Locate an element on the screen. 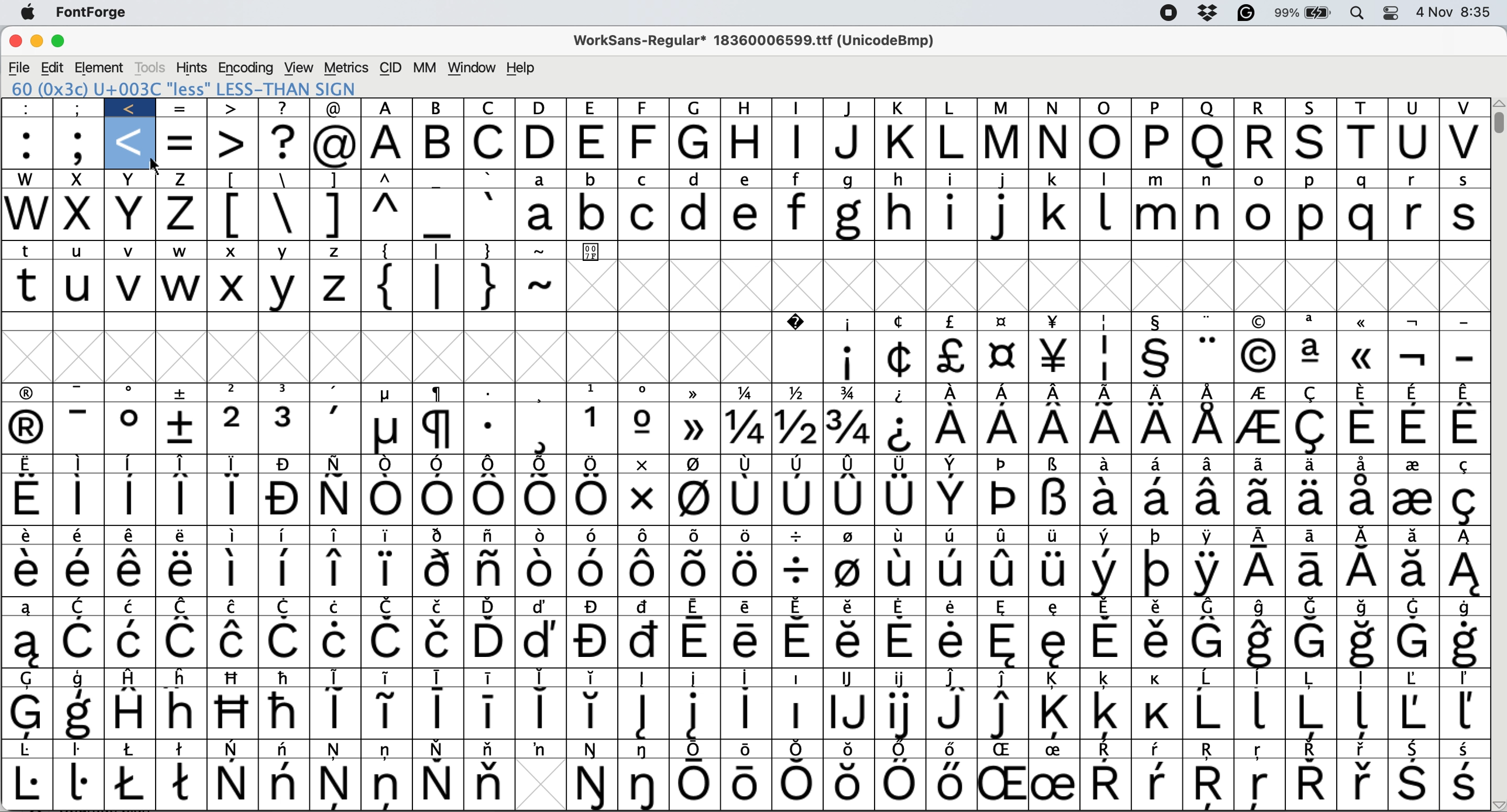 The width and height of the screenshot is (1507, 812). view is located at coordinates (301, 67).